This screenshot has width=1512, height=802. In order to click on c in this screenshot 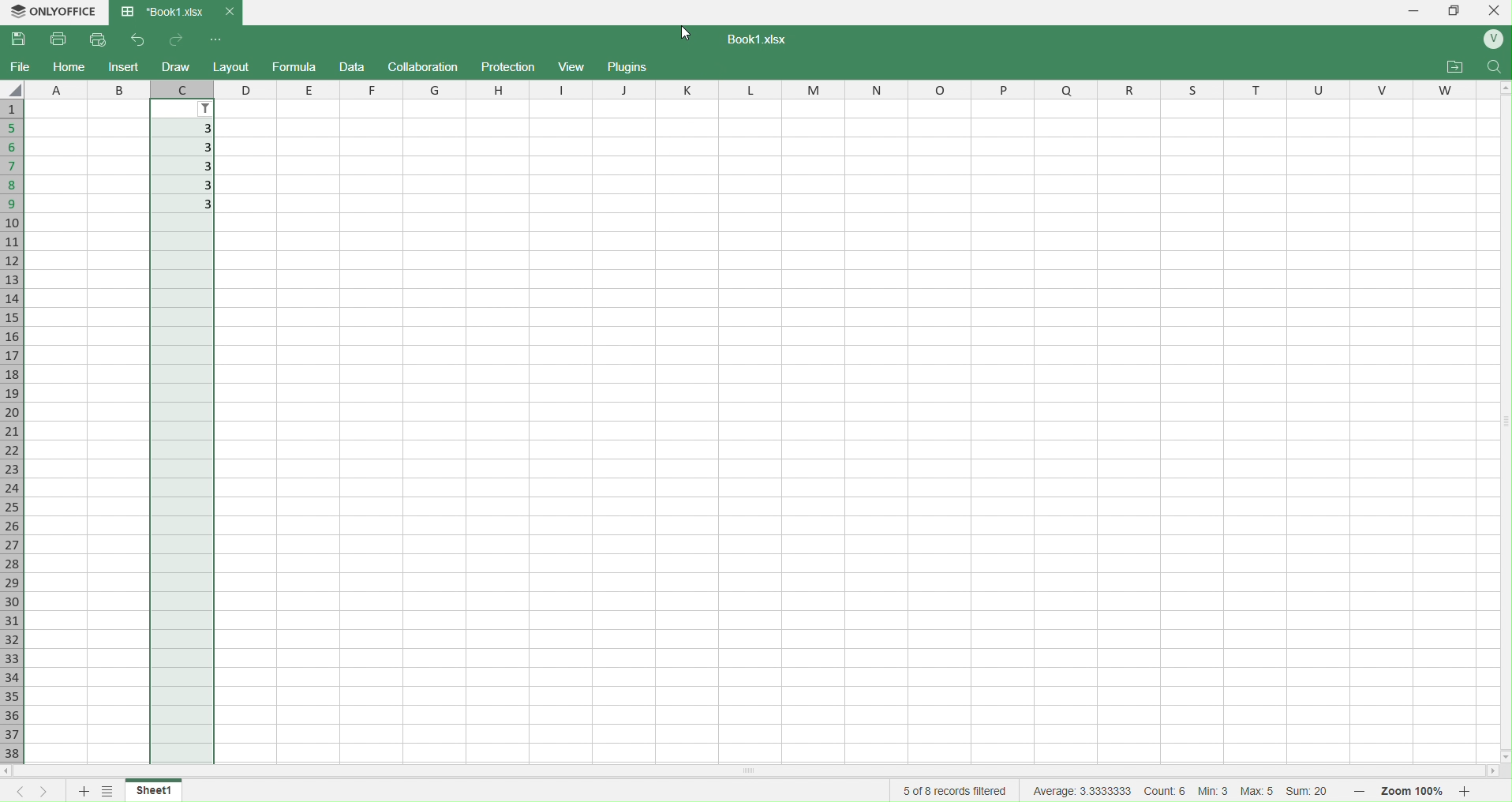, I will do `click(182, 88)`.